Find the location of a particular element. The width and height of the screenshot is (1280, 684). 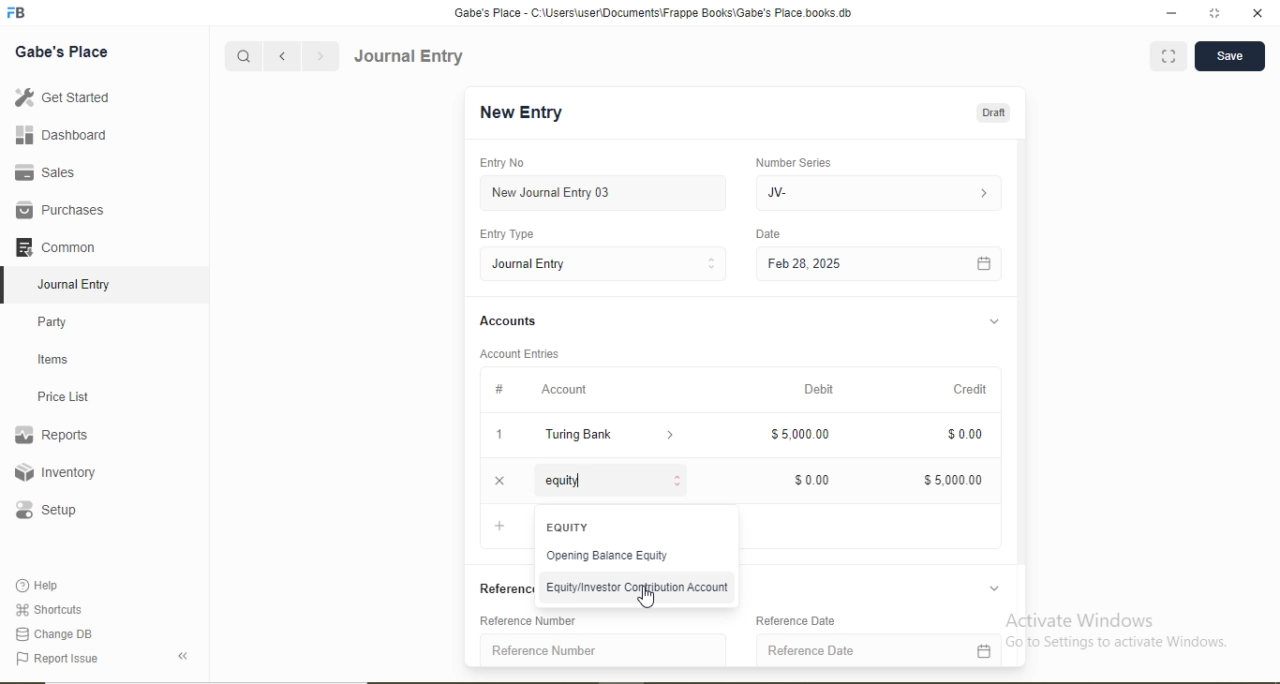

New Entry is located at coordinates (520, 113).